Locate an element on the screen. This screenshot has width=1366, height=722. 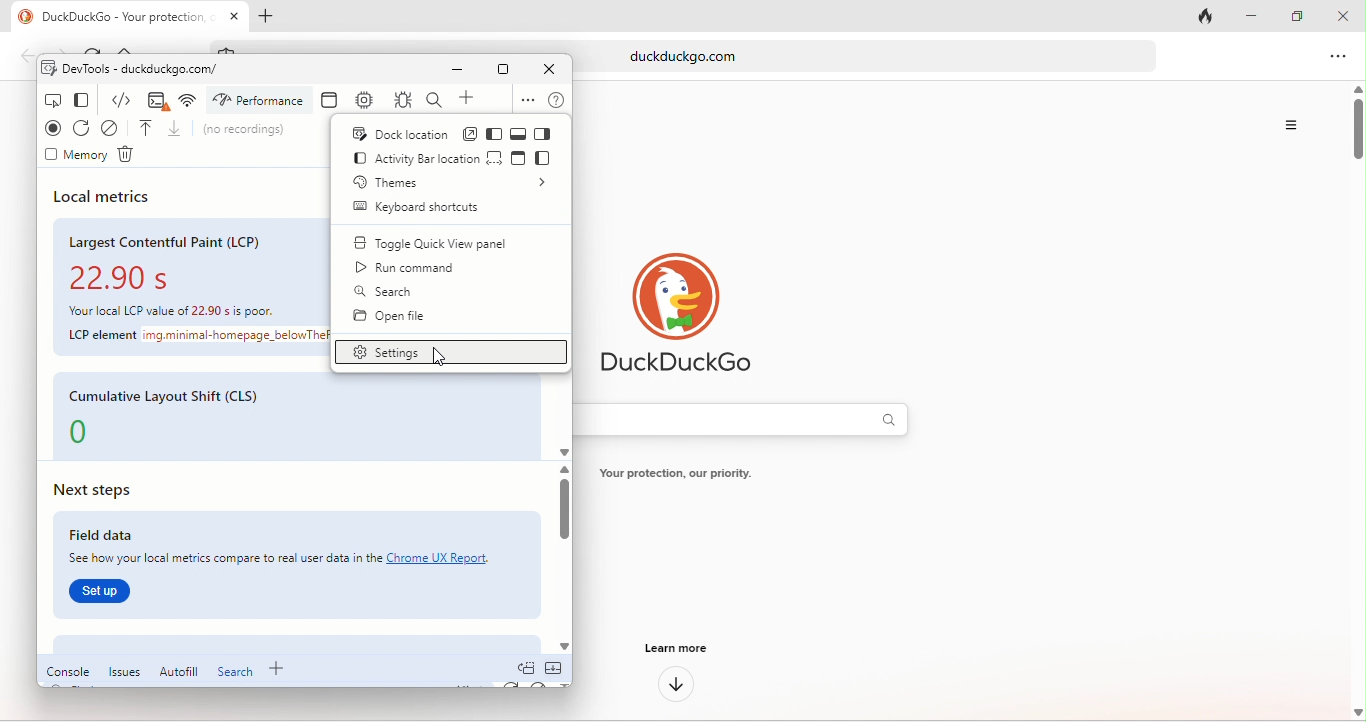
network is located at coordinates (193, 98).